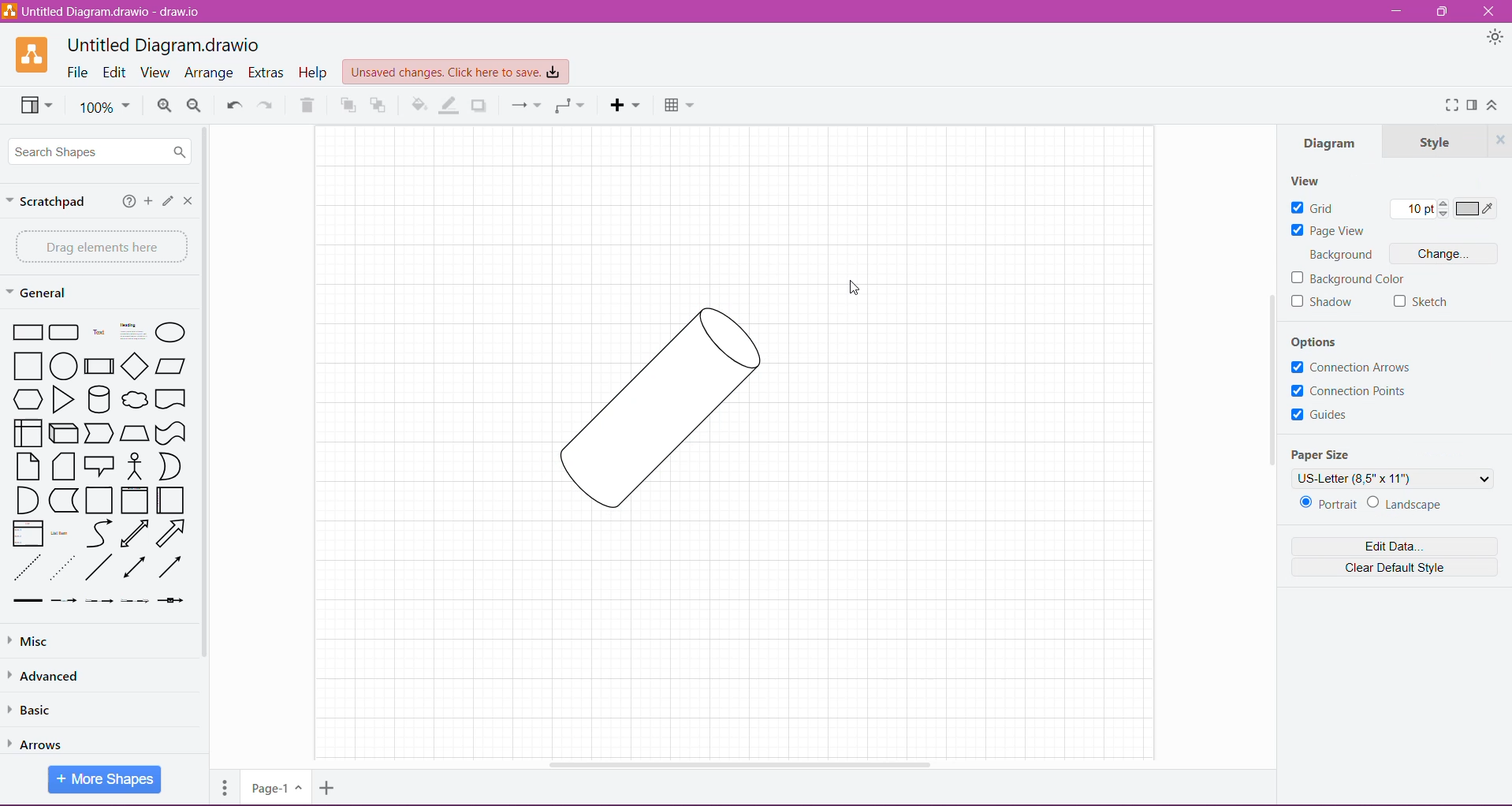 This screenshot has height=806, width=1512. What do you see at coordinates (24, 55) in the screenshot?
I see `Application Logo` at bounding box center [24, 55].